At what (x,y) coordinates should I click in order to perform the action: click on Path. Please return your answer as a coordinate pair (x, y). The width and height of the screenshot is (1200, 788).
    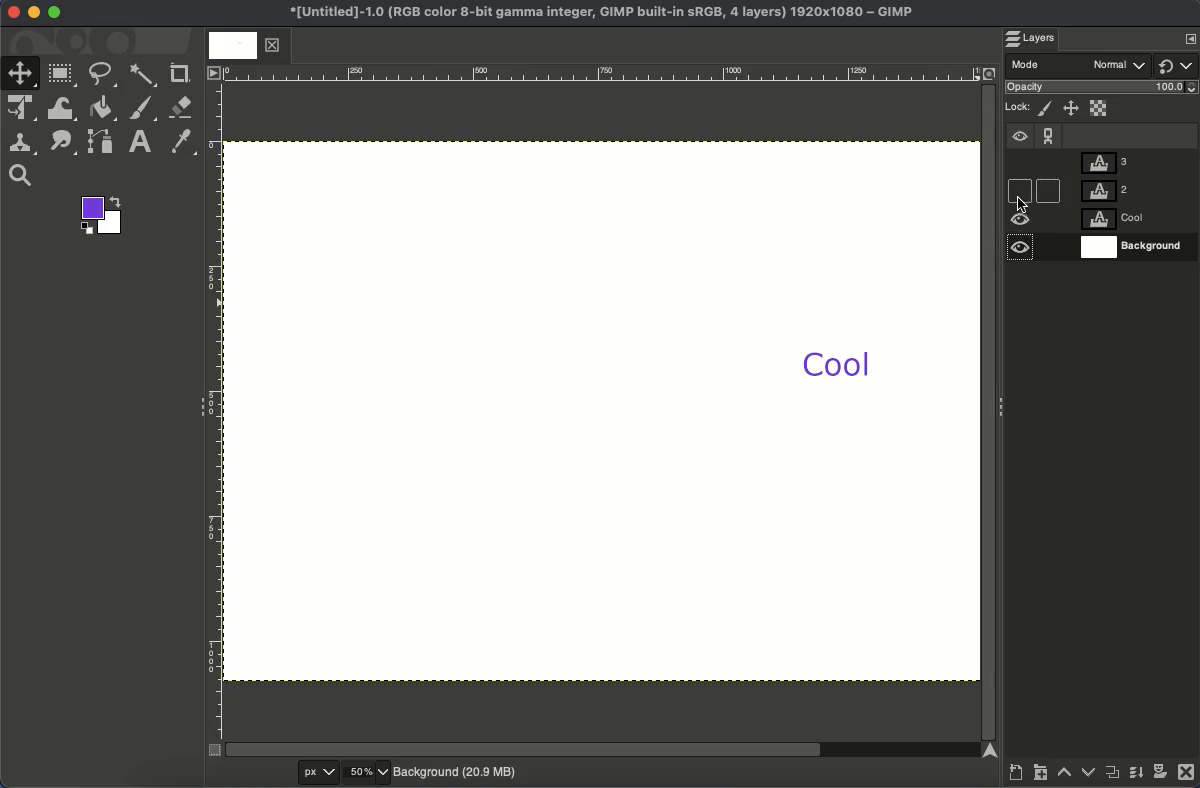
    Looking at the image, I should click on (103, 145).